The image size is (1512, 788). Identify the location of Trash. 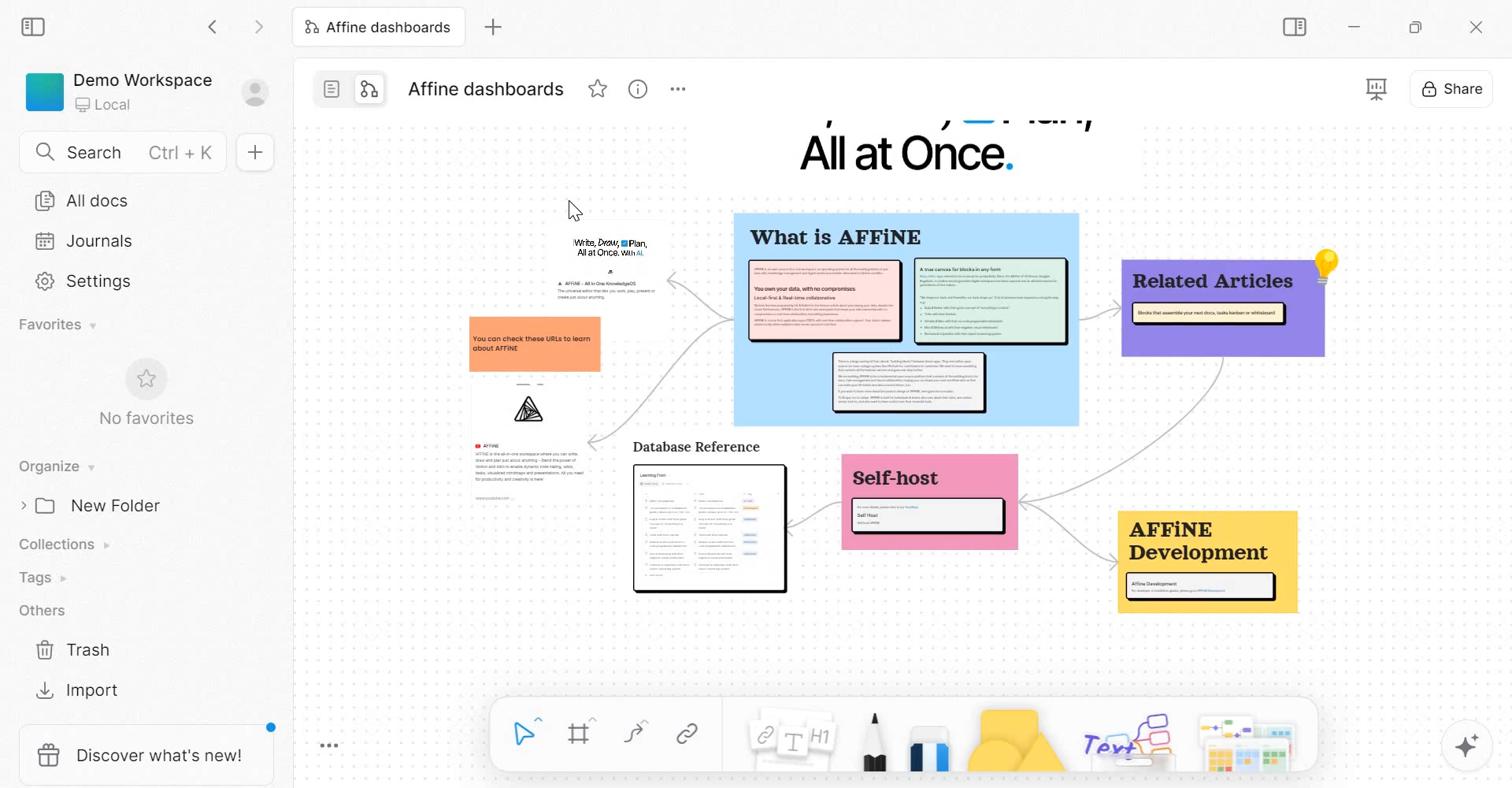
(73, 647).